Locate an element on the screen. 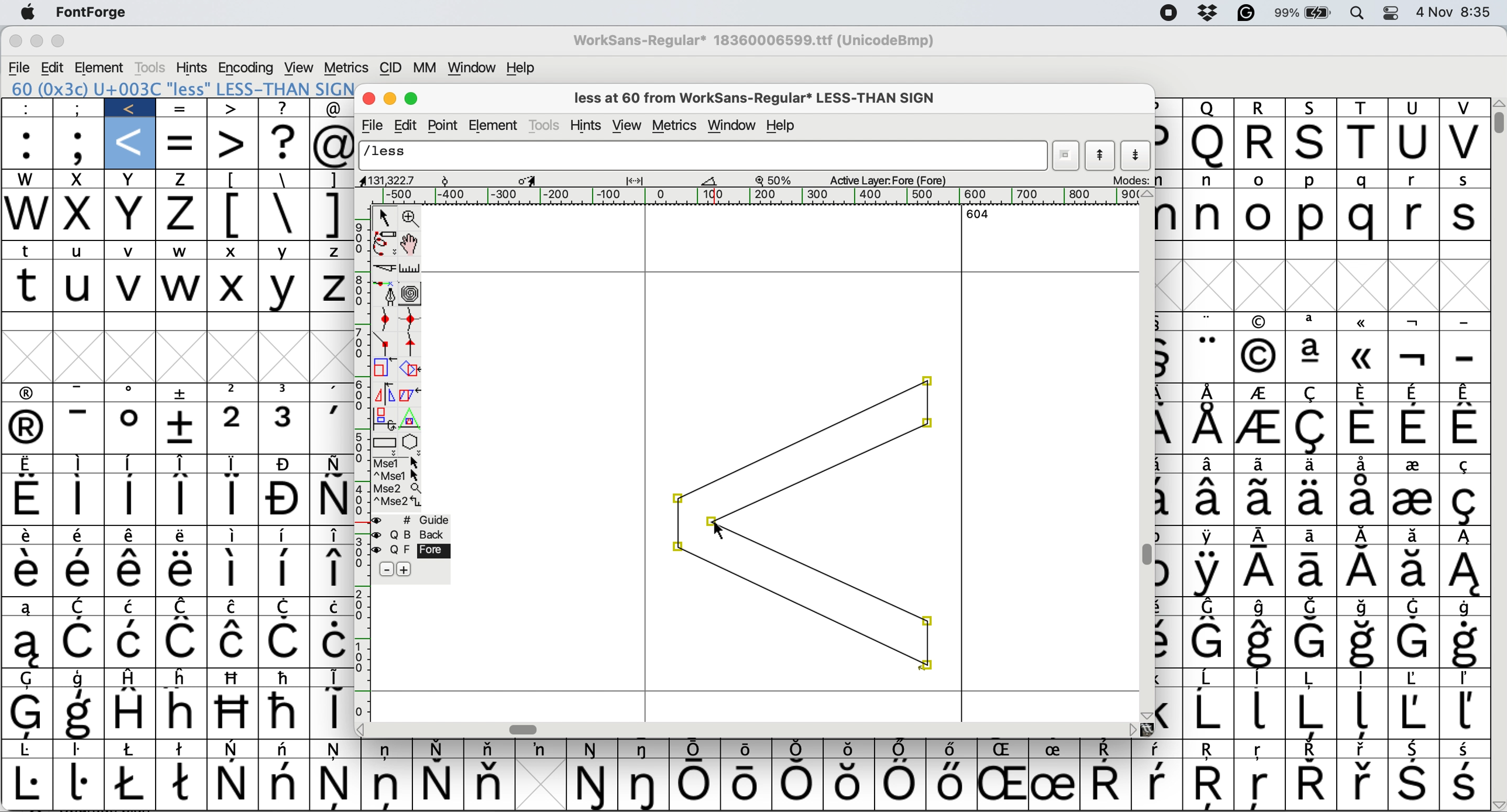  maximize is located at coordinates (412, 99).